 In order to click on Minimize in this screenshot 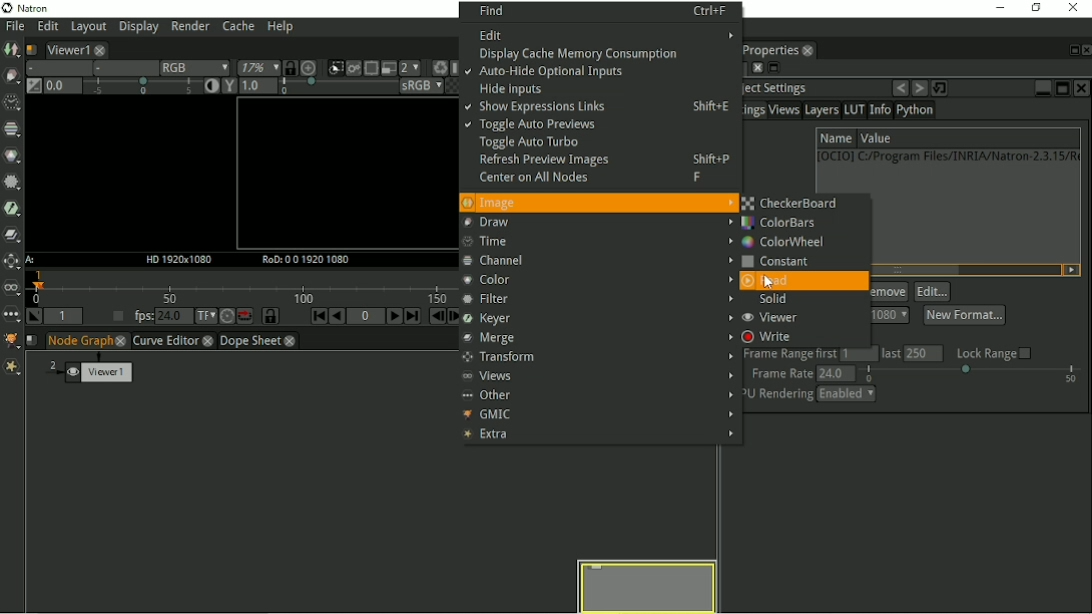, I will do `click(997, 7)`.